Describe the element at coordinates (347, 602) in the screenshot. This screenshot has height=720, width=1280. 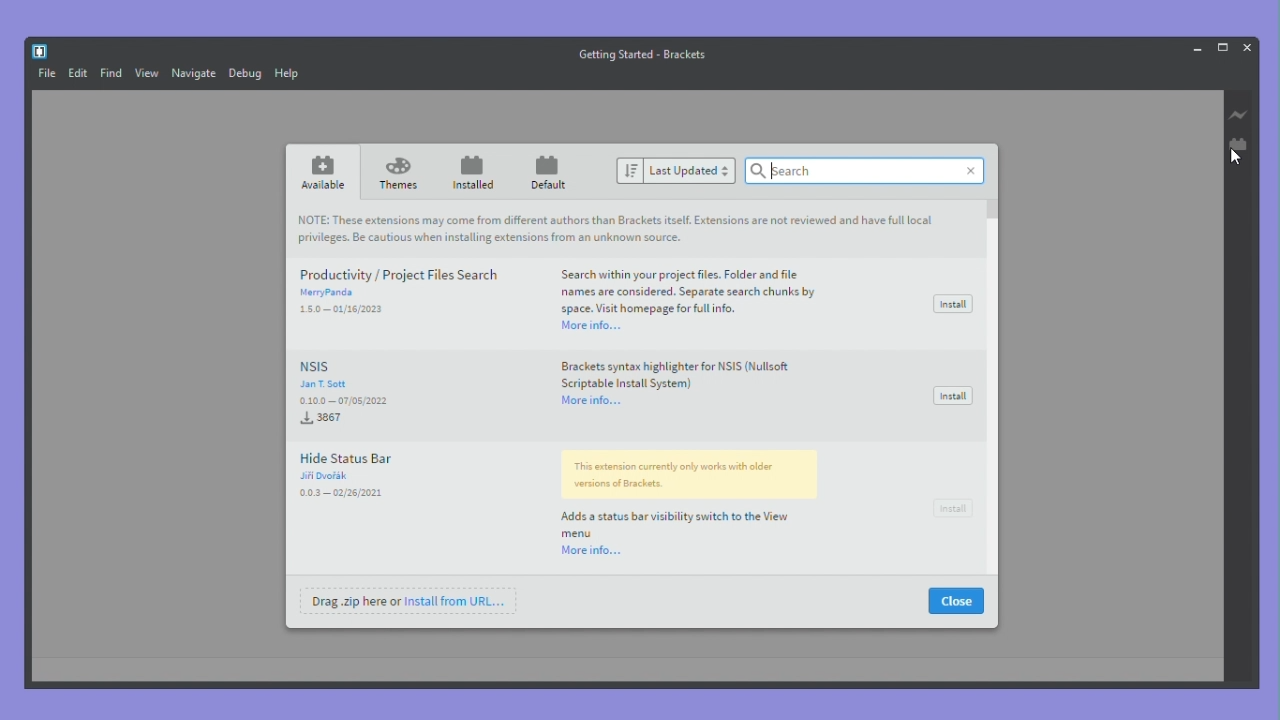
I see `Drag zip file here ` at that location.